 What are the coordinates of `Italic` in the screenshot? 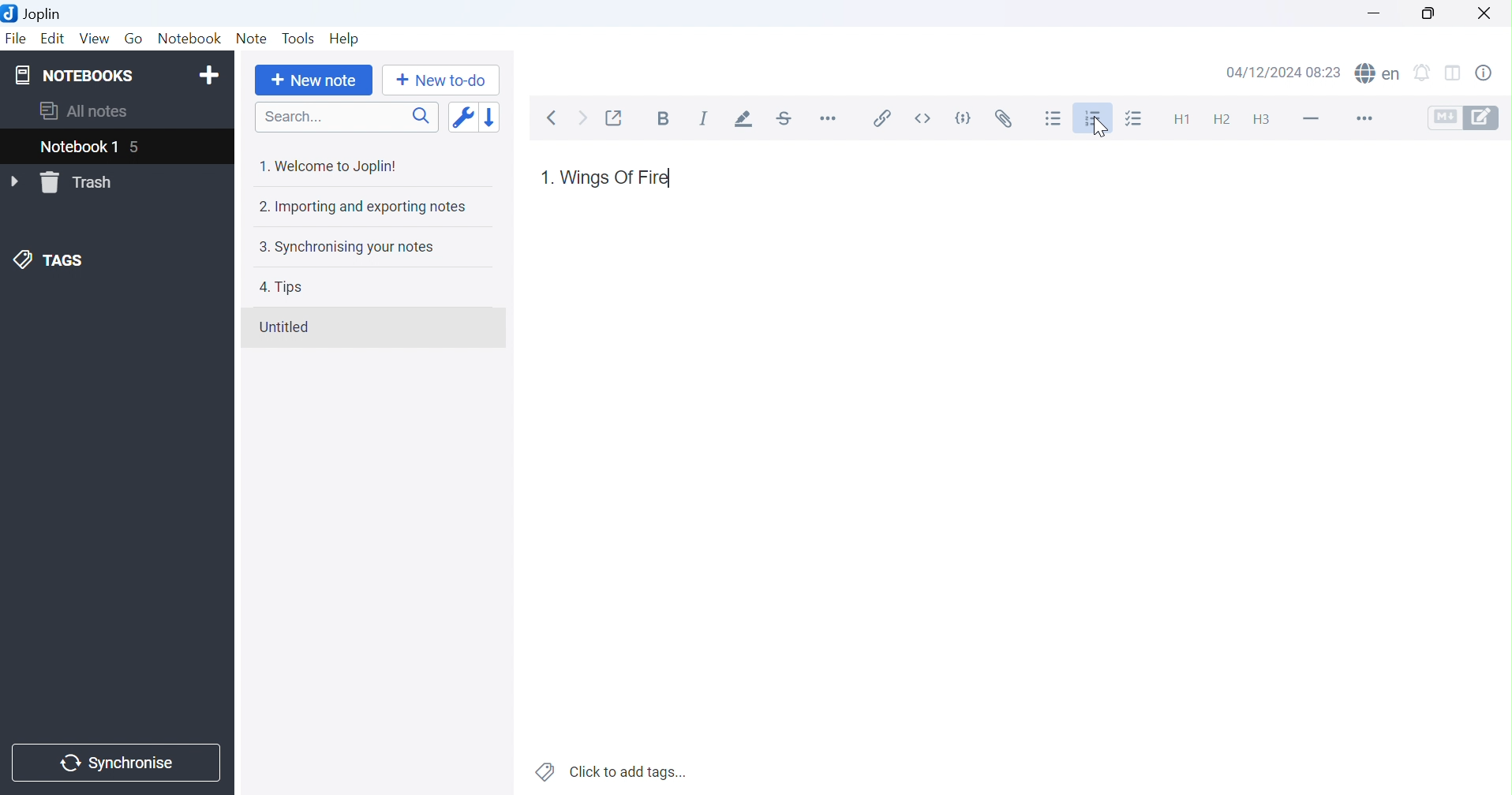 It's located at (705, 118).